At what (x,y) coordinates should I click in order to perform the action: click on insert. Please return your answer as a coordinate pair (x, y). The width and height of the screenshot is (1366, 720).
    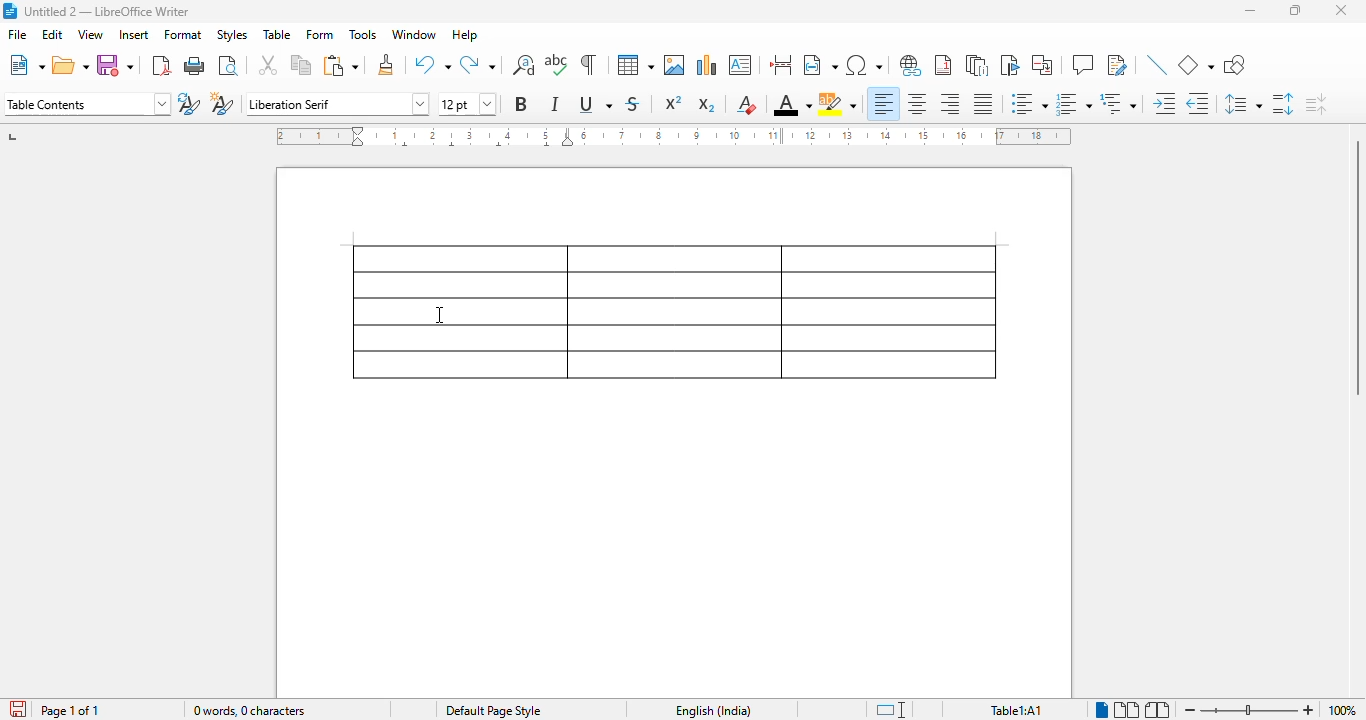
    Looking at the image, I should click on (135, 35).